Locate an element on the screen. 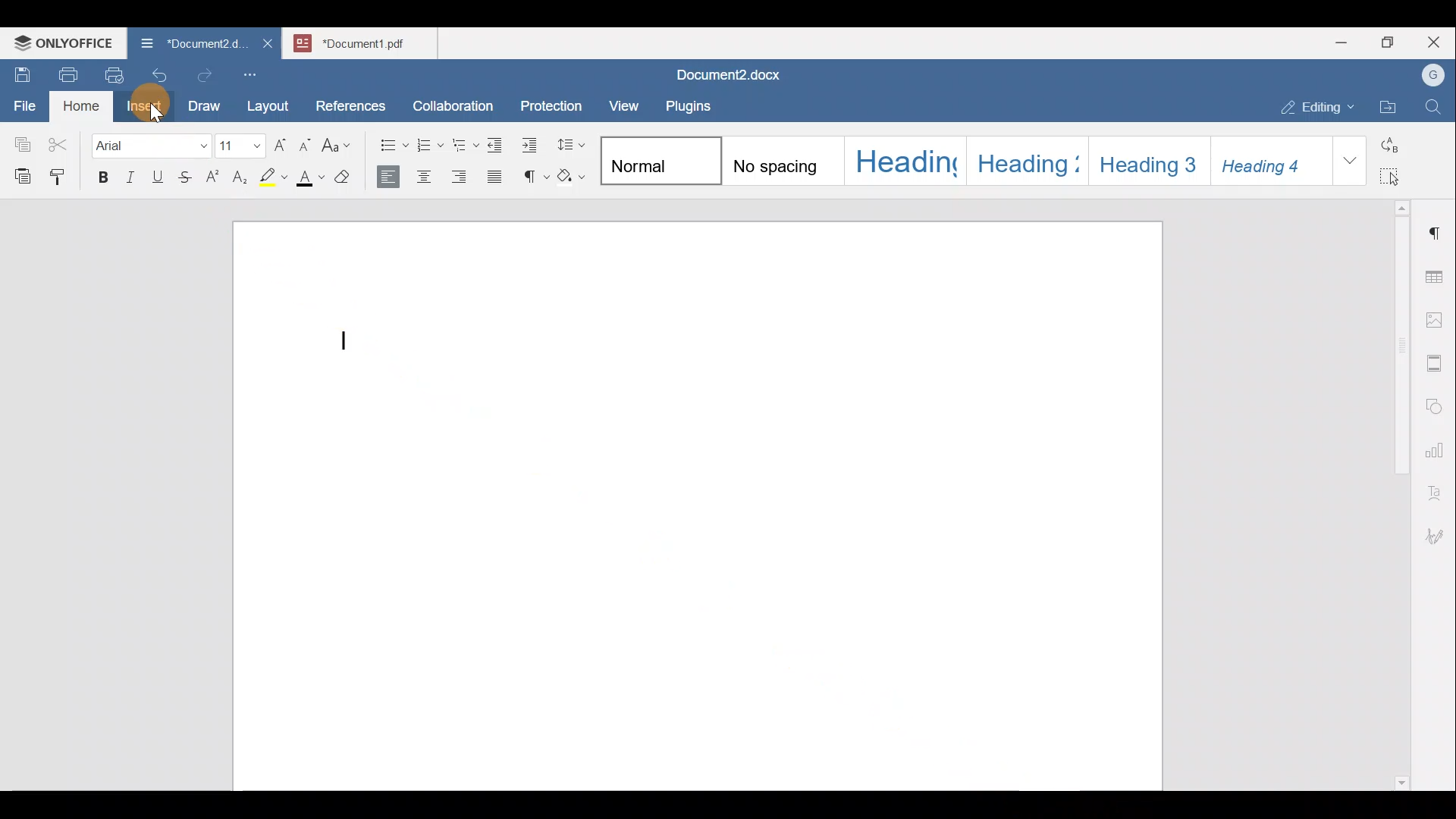  Bullets is located at coordinates (393, 147).